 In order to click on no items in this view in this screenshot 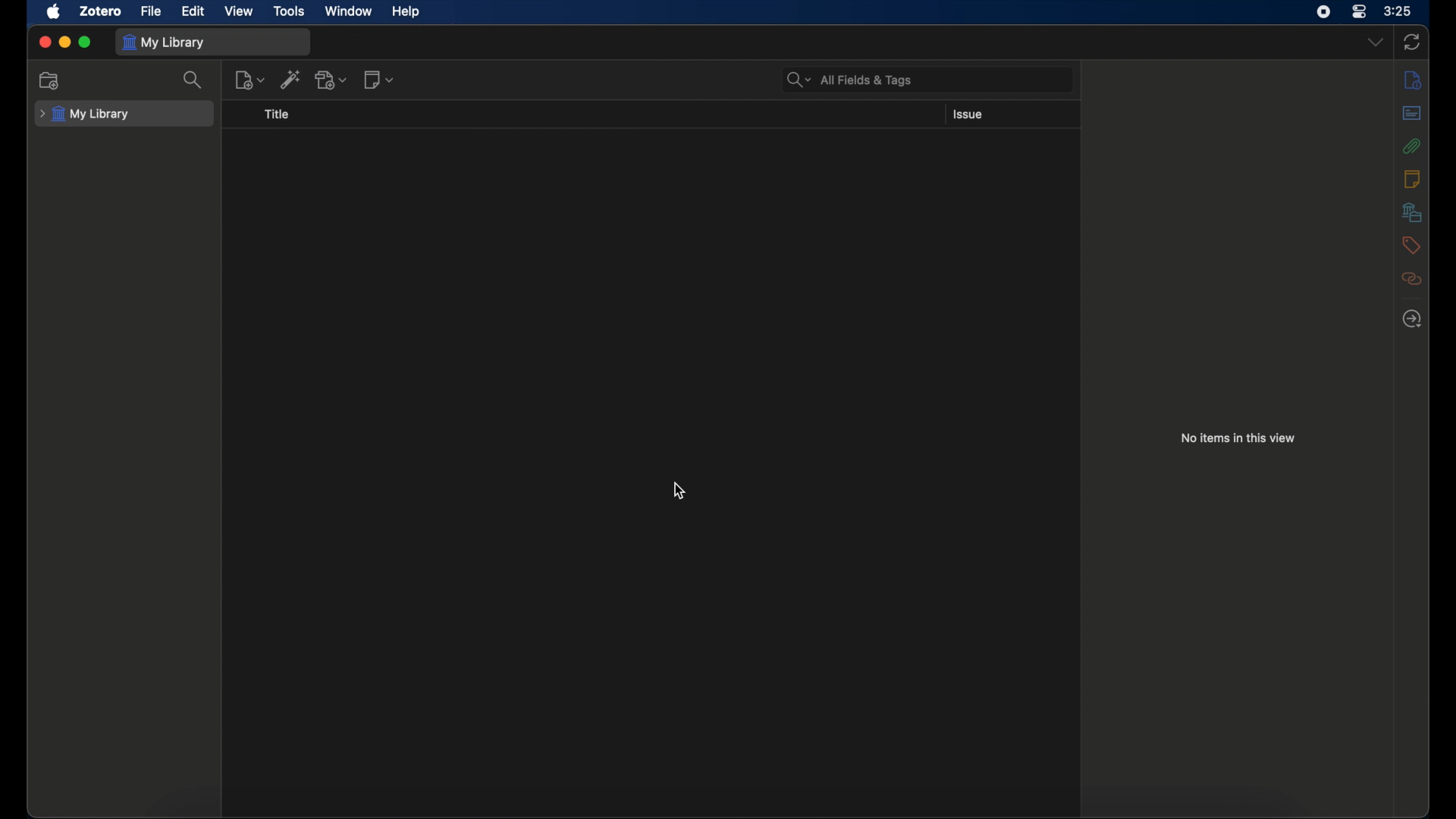, I will do `click(1238, 437)`.